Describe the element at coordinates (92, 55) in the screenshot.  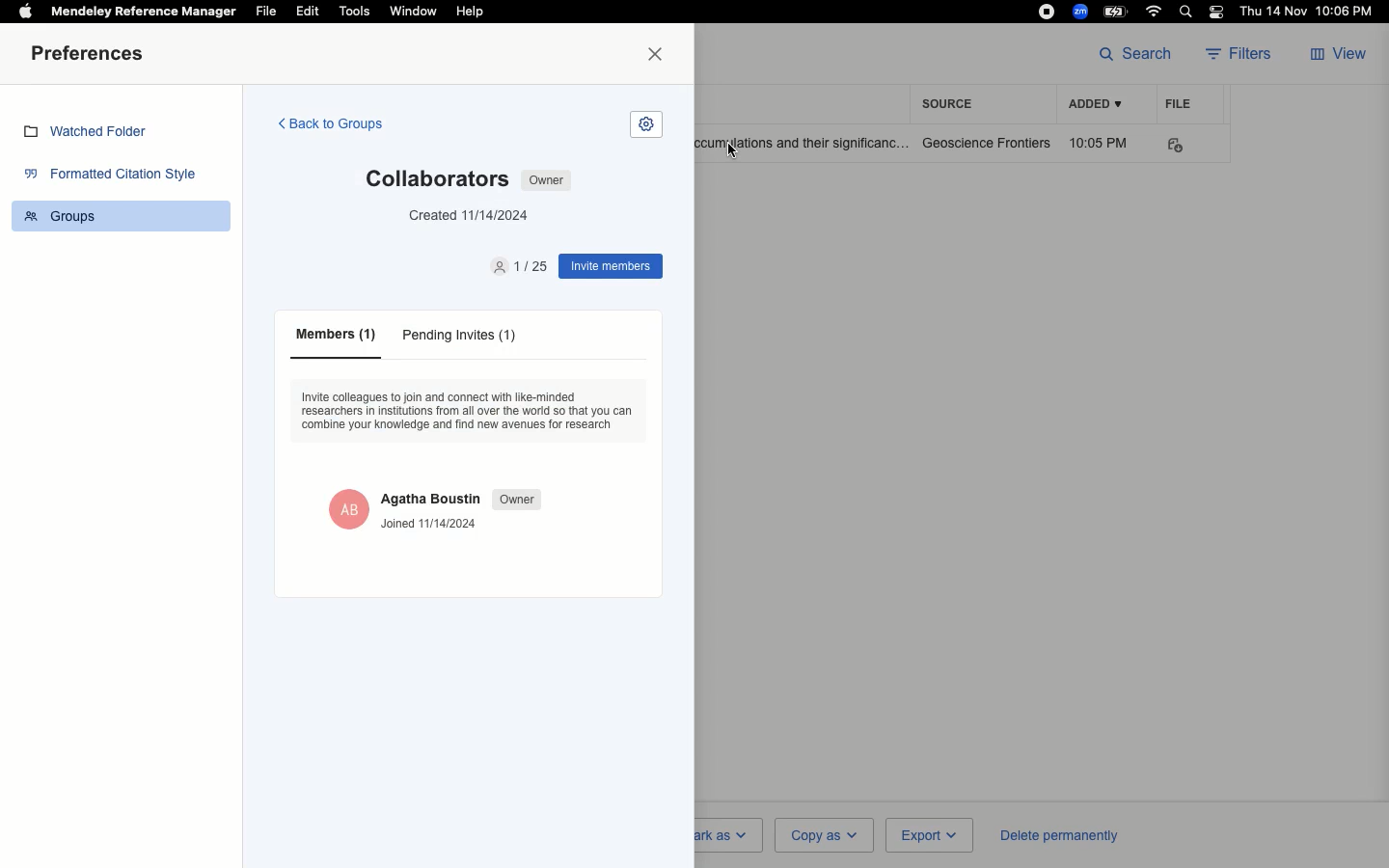
I see `Preferences` at that location.